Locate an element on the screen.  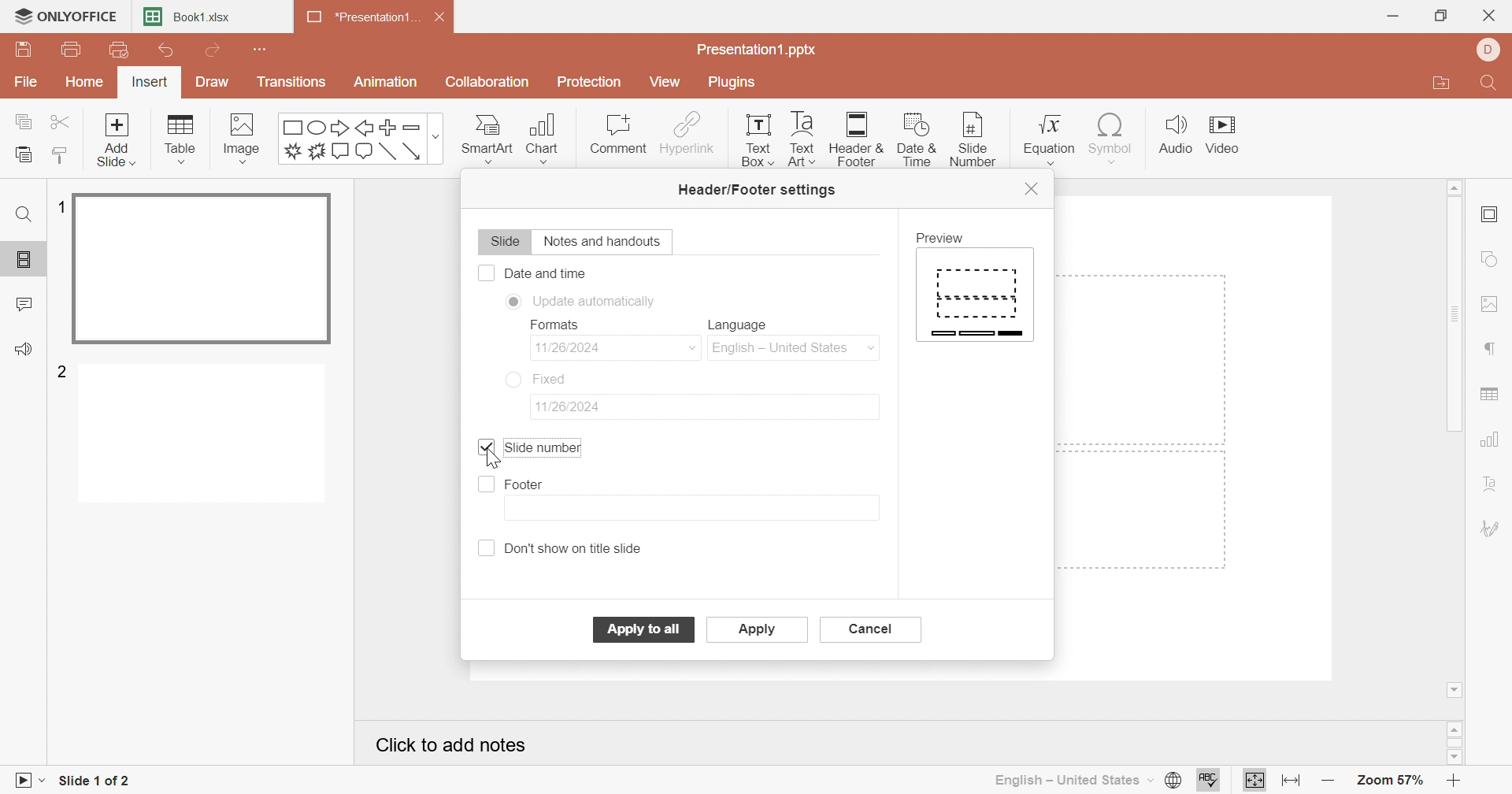
Minimize is located at coordinates (1393, 17).